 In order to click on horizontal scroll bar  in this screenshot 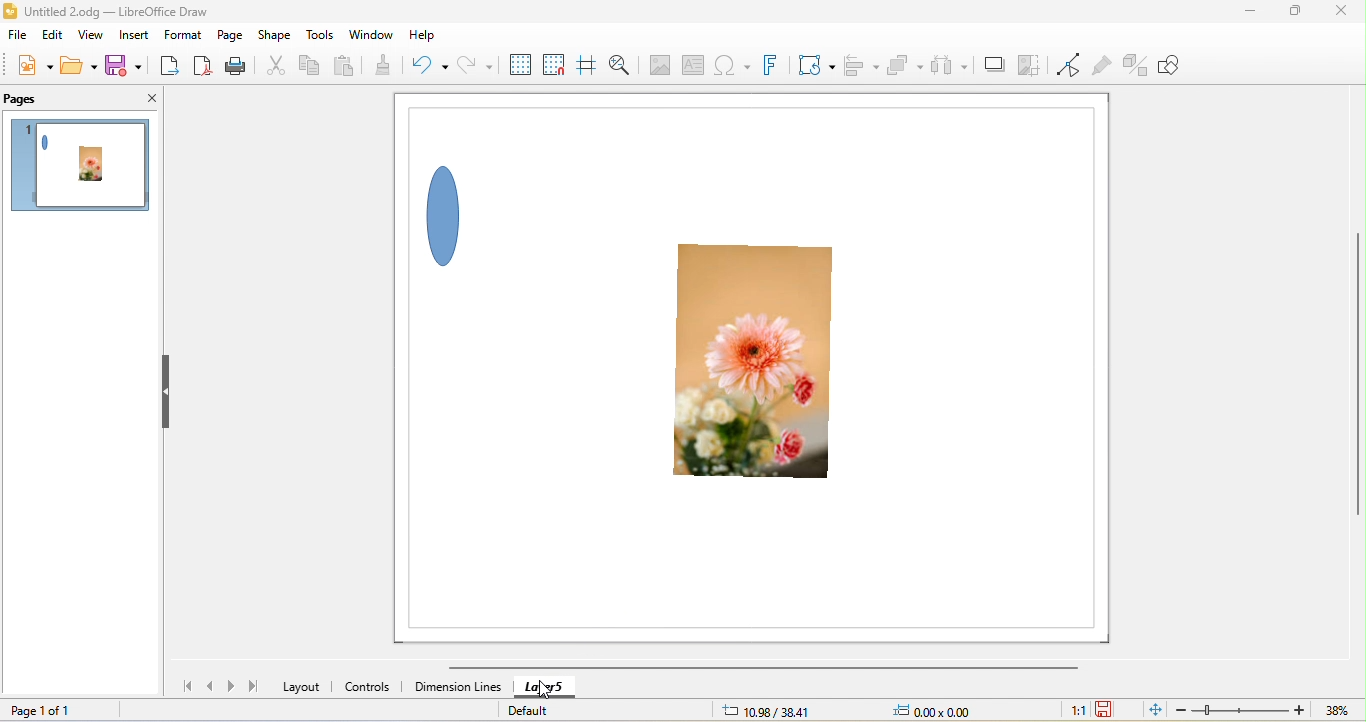, I will do `click(762, 668)`.